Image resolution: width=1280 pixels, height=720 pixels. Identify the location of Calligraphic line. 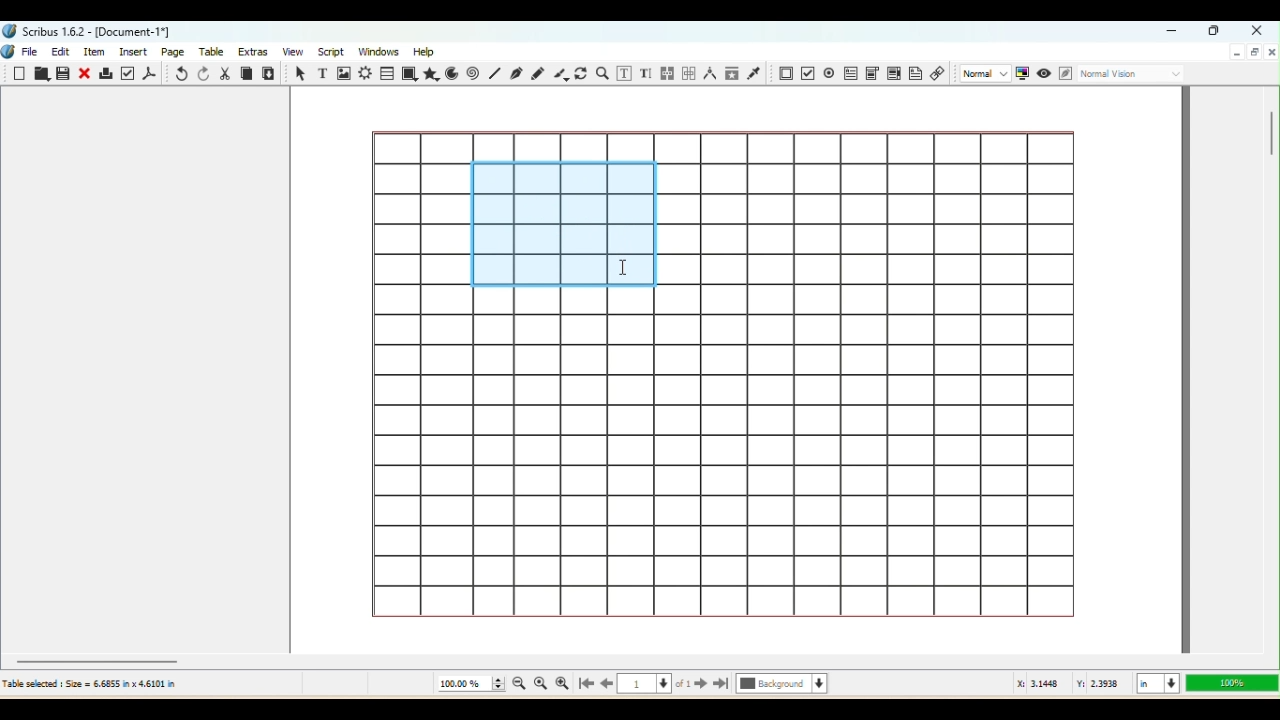
(559, 74).